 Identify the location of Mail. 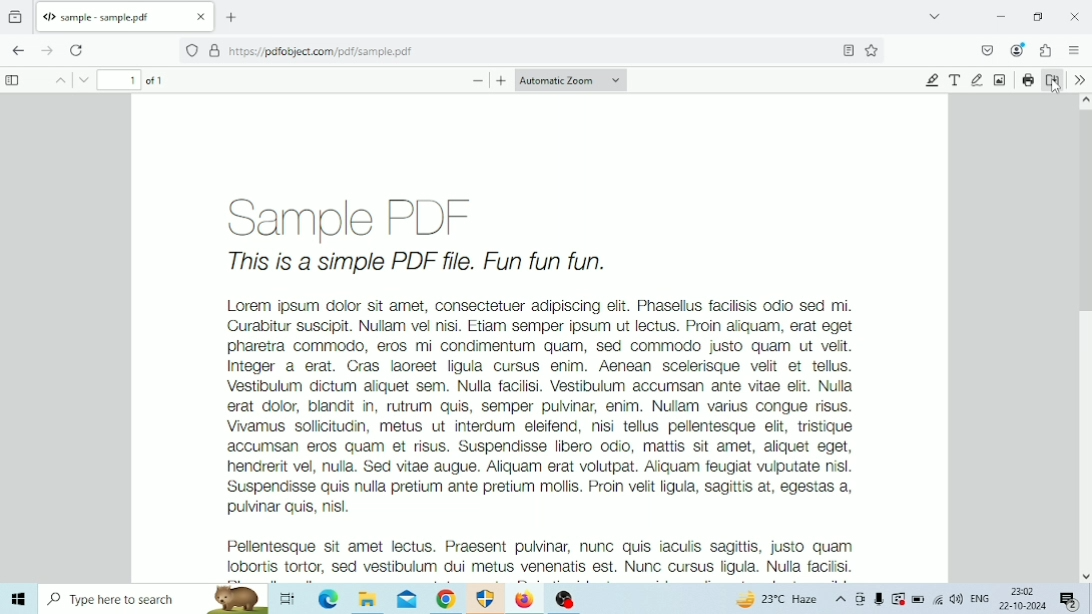
(407, 600).